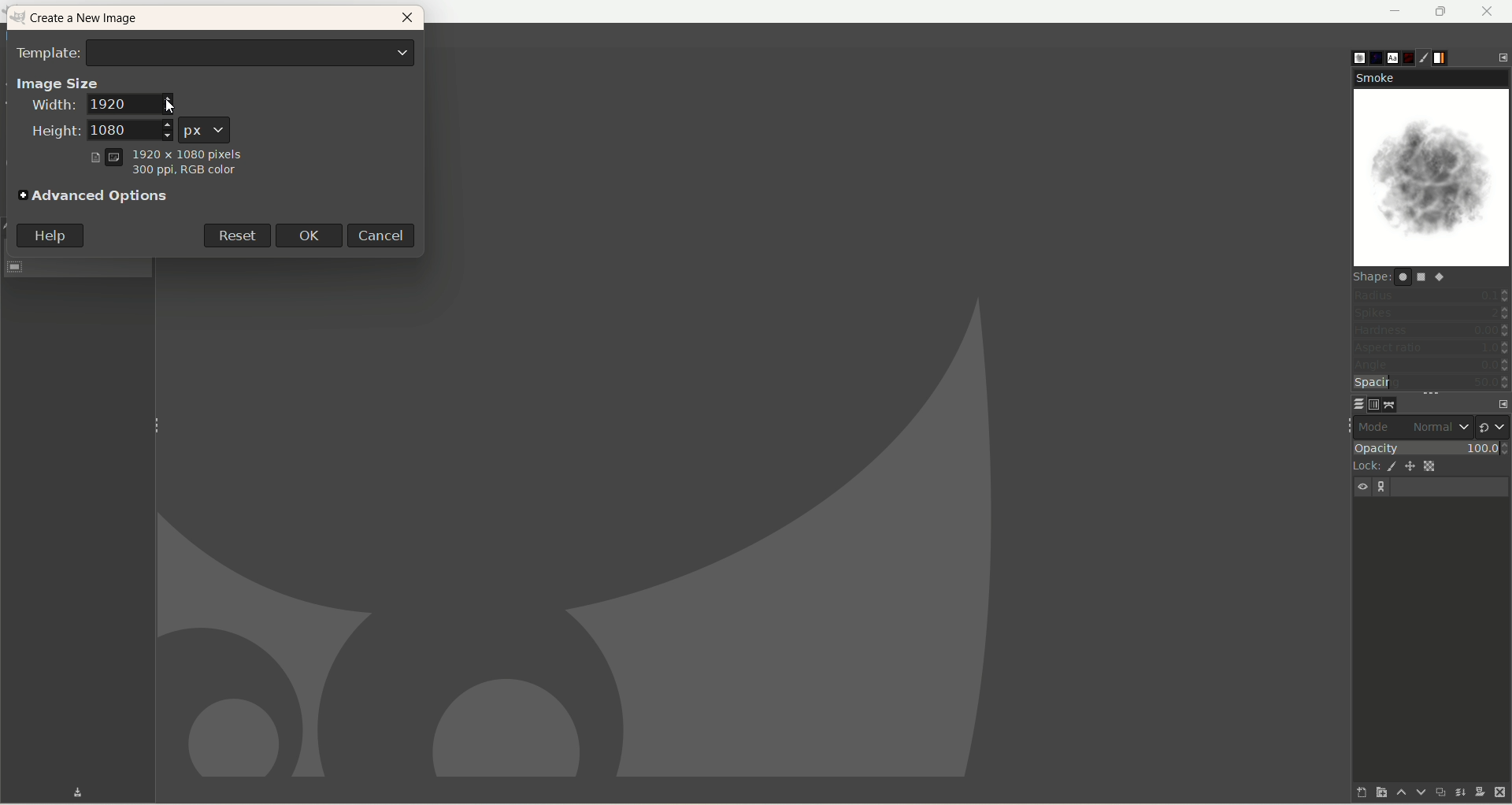 This screenshot has height=805, width=1512. I want to click on reset, so click(235, 234).